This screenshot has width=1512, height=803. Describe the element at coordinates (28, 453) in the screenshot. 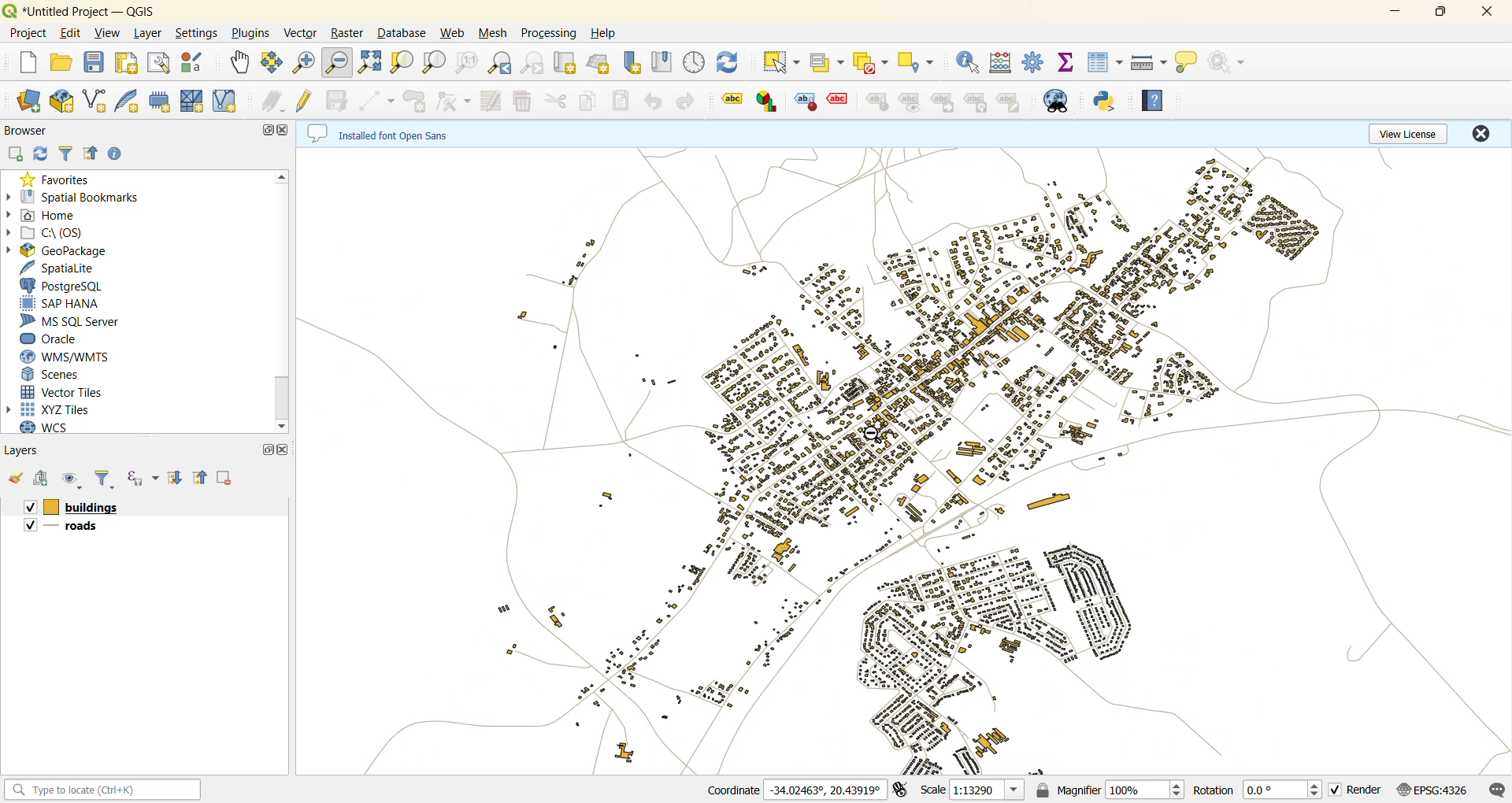

I see `layers` at that location.